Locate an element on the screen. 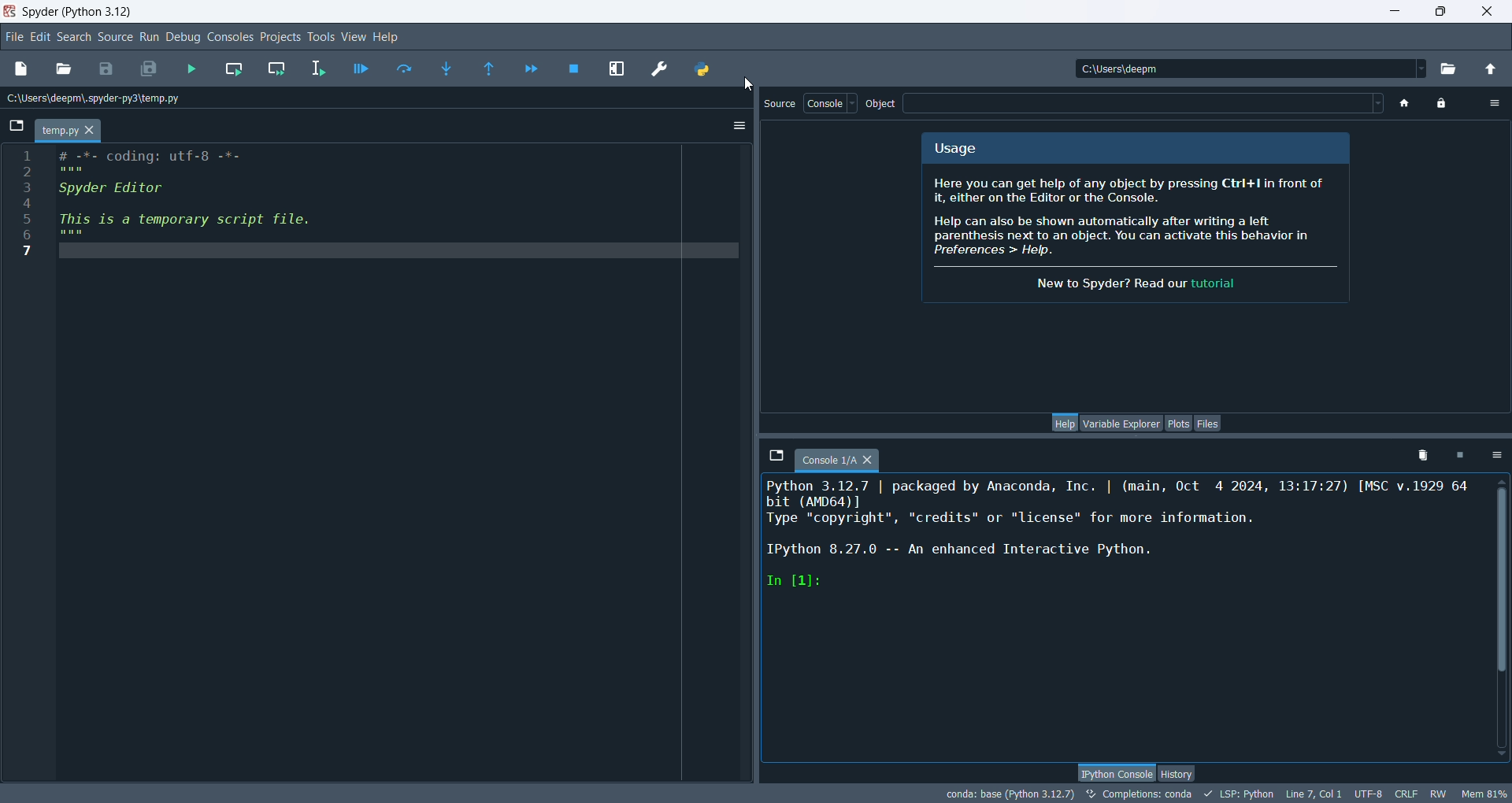  options is located at coordinates (1495, 103).